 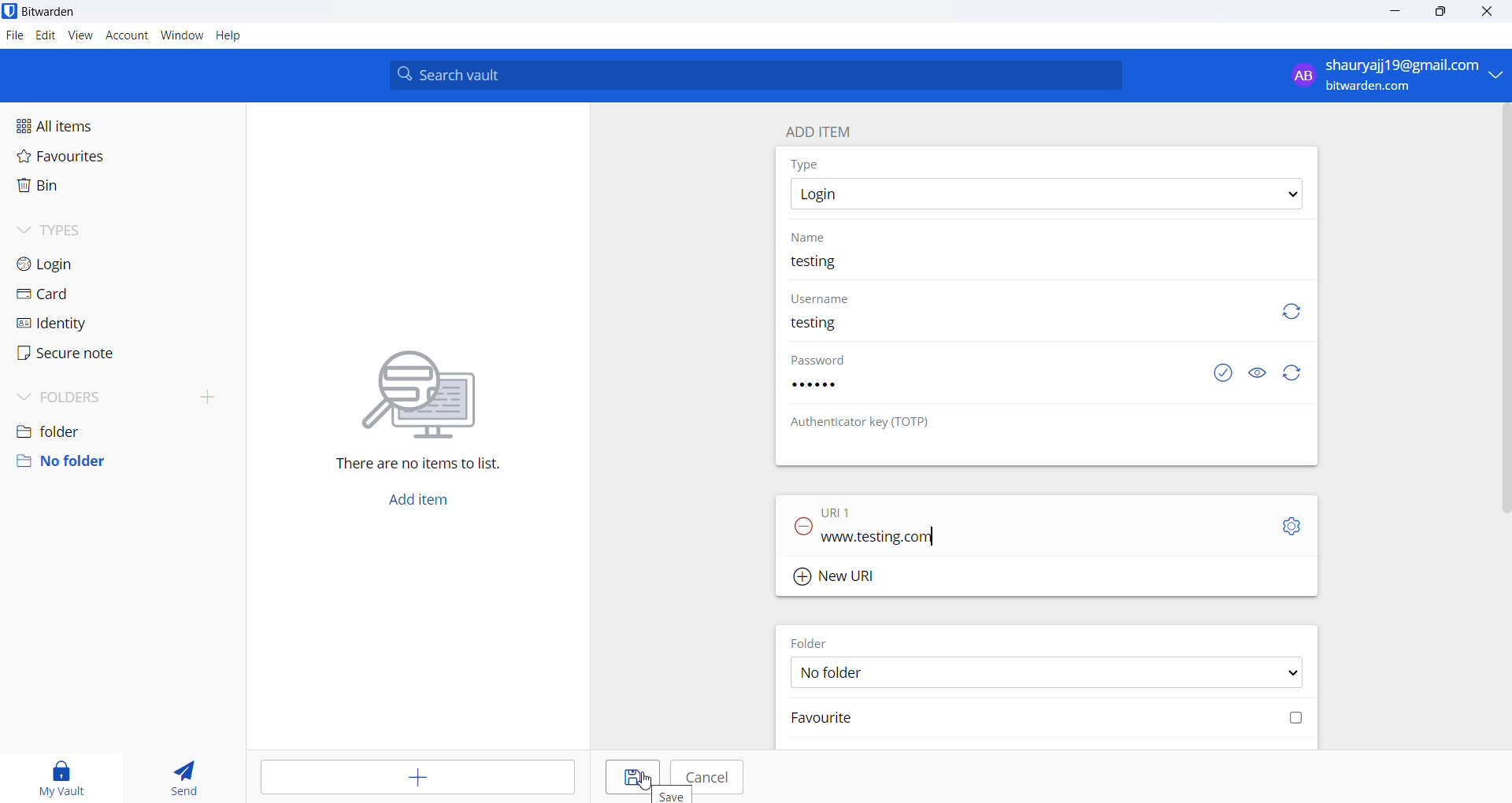 I want to click on folder, so click(x=119, y=427).